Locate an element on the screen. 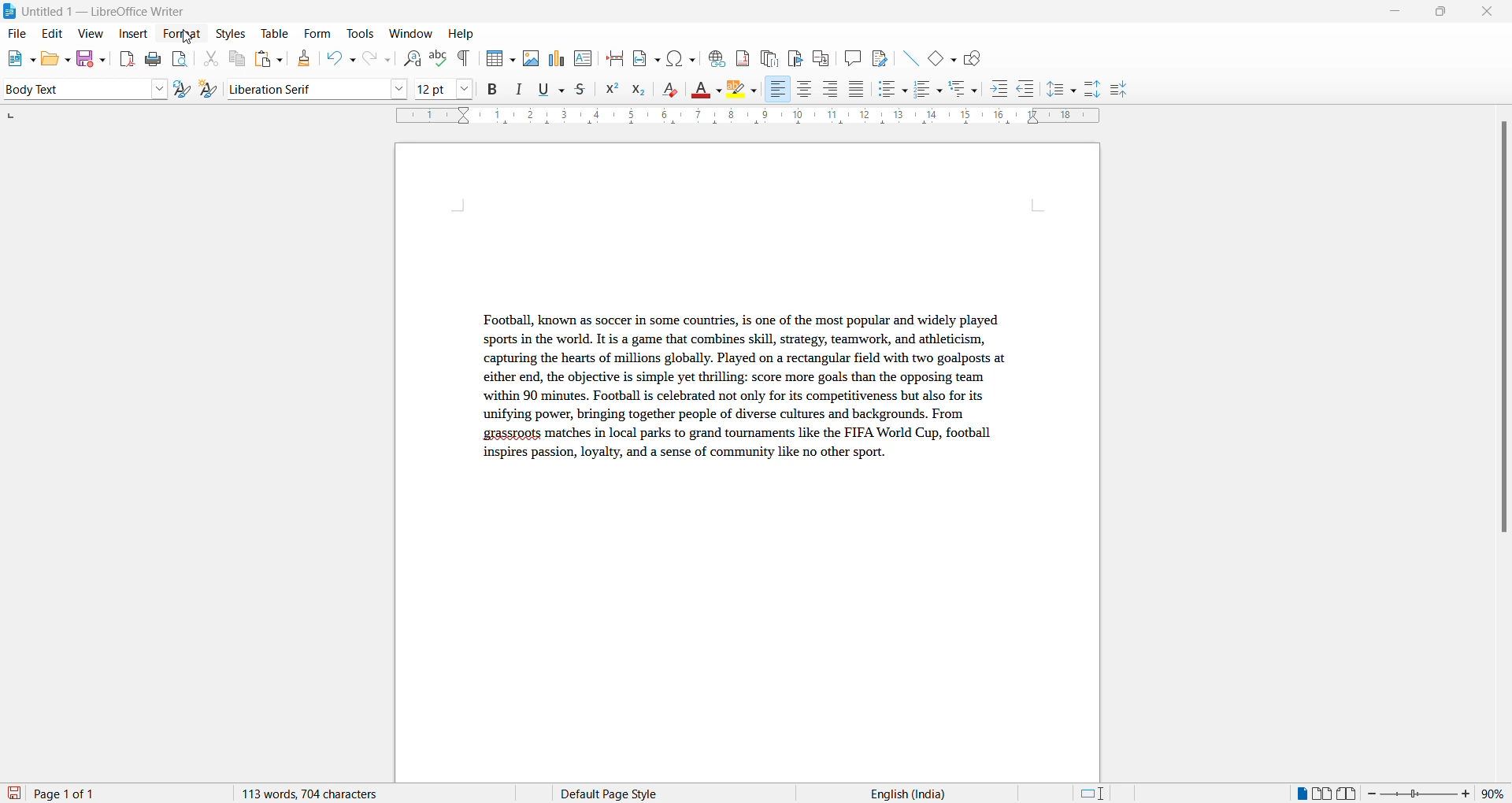  insert image is located at coordinates (530, 58).